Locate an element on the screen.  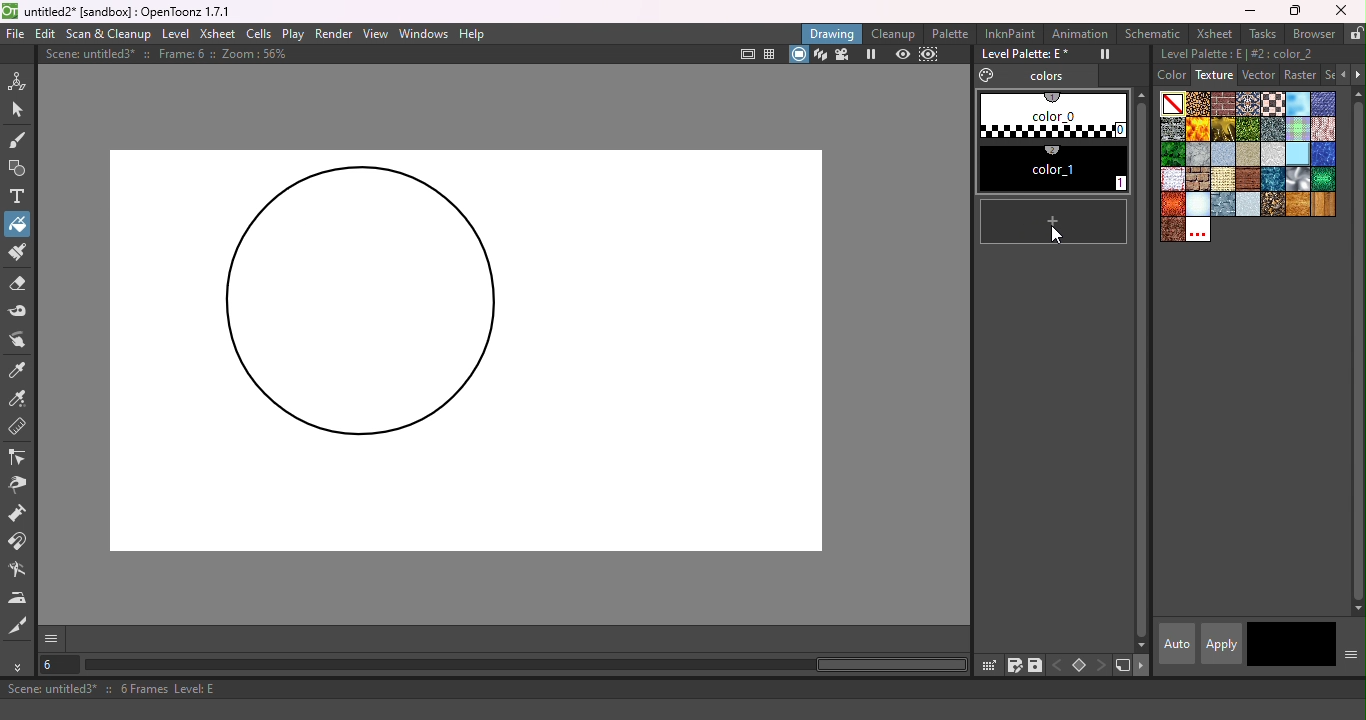
stucco.bmp is located at coordinates (1249, 205).